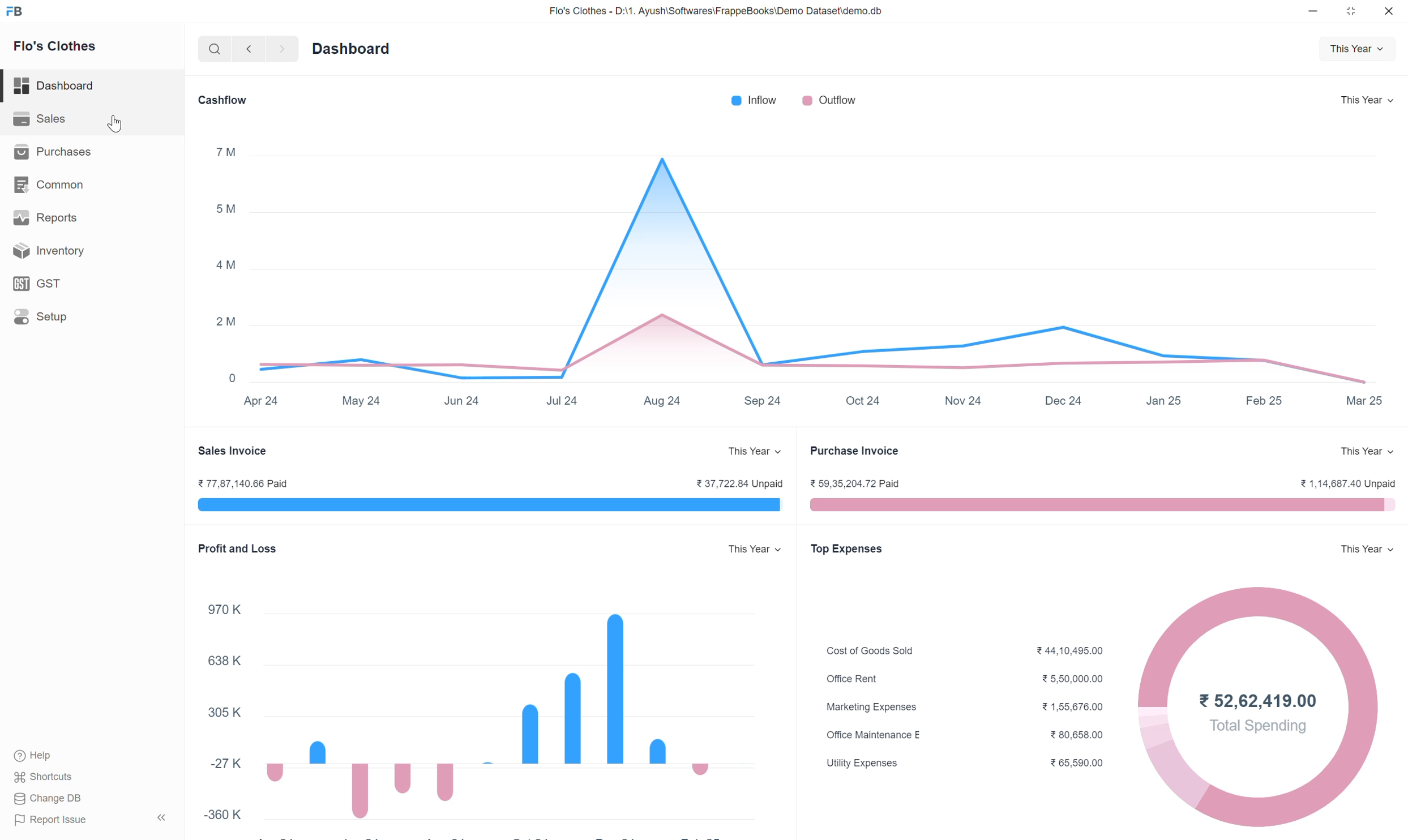 The height and width of the screenshot is (840, 1408). Describe the element at coordinates (1365, 710) in the screenshot. I see `donut chart` at that location.